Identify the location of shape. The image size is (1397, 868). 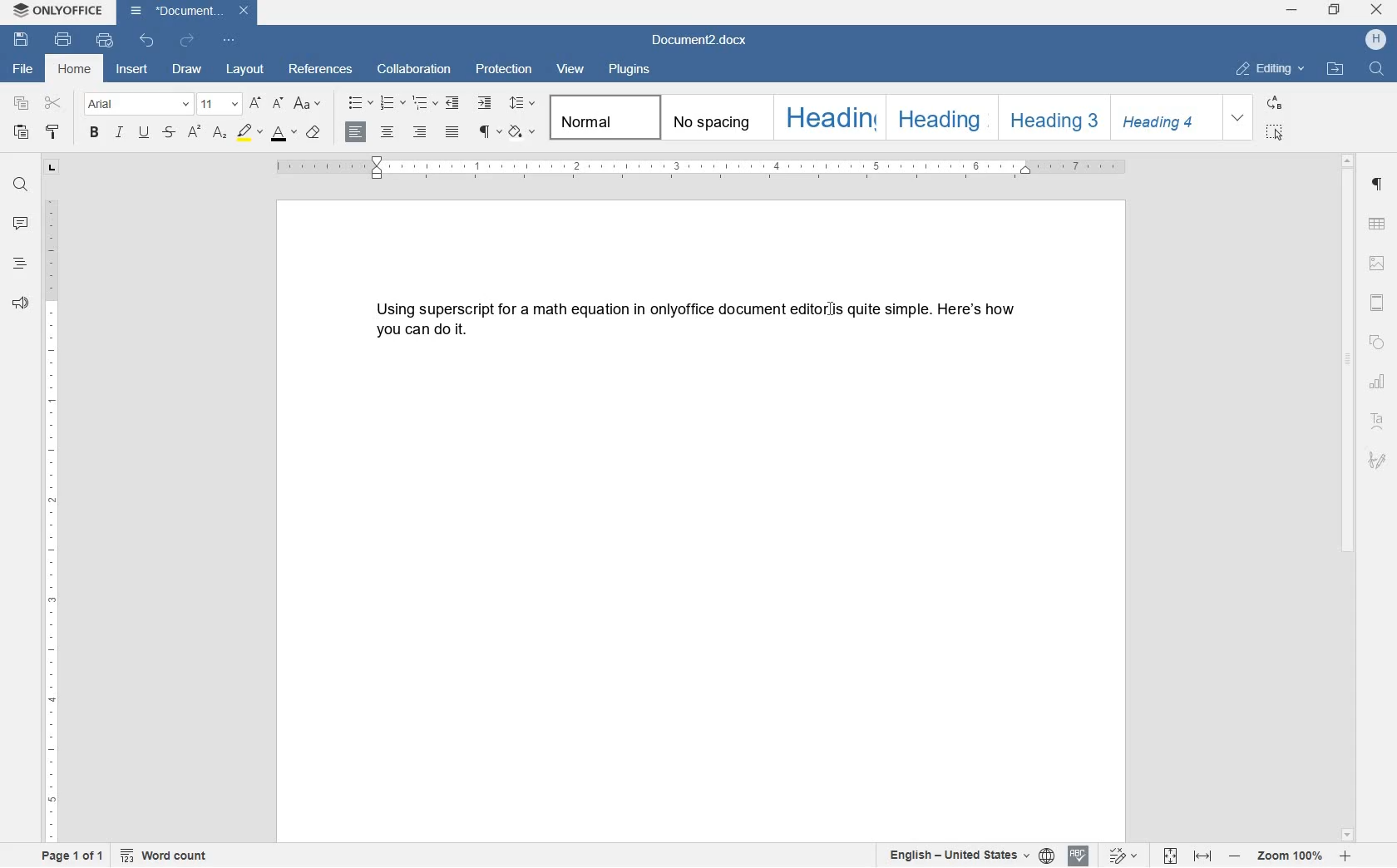
(1376, 344).